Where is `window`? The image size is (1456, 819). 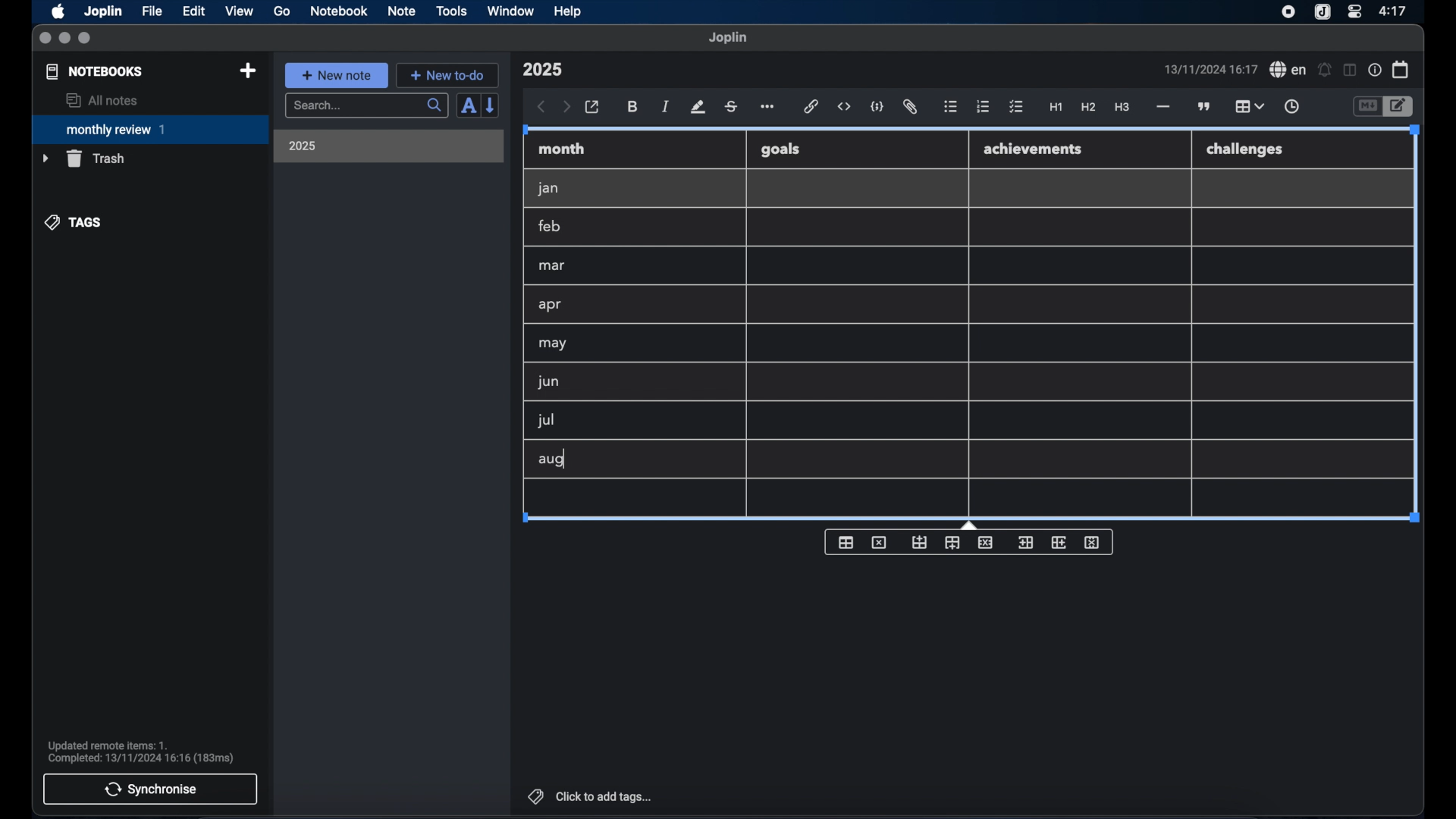
window is located at coordinates (511, 11).